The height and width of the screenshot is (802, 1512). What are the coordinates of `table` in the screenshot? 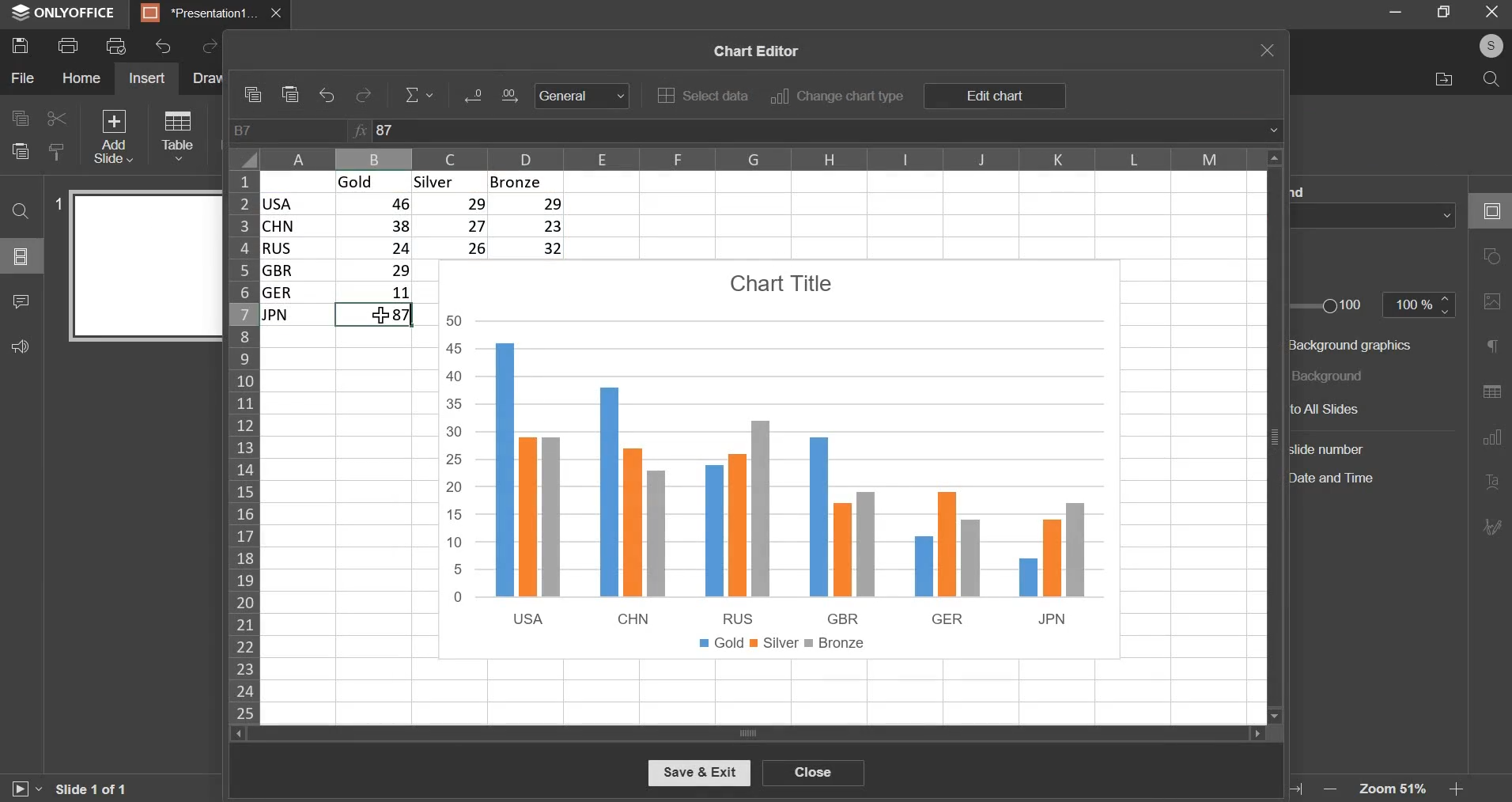 It's located at (176, 134).